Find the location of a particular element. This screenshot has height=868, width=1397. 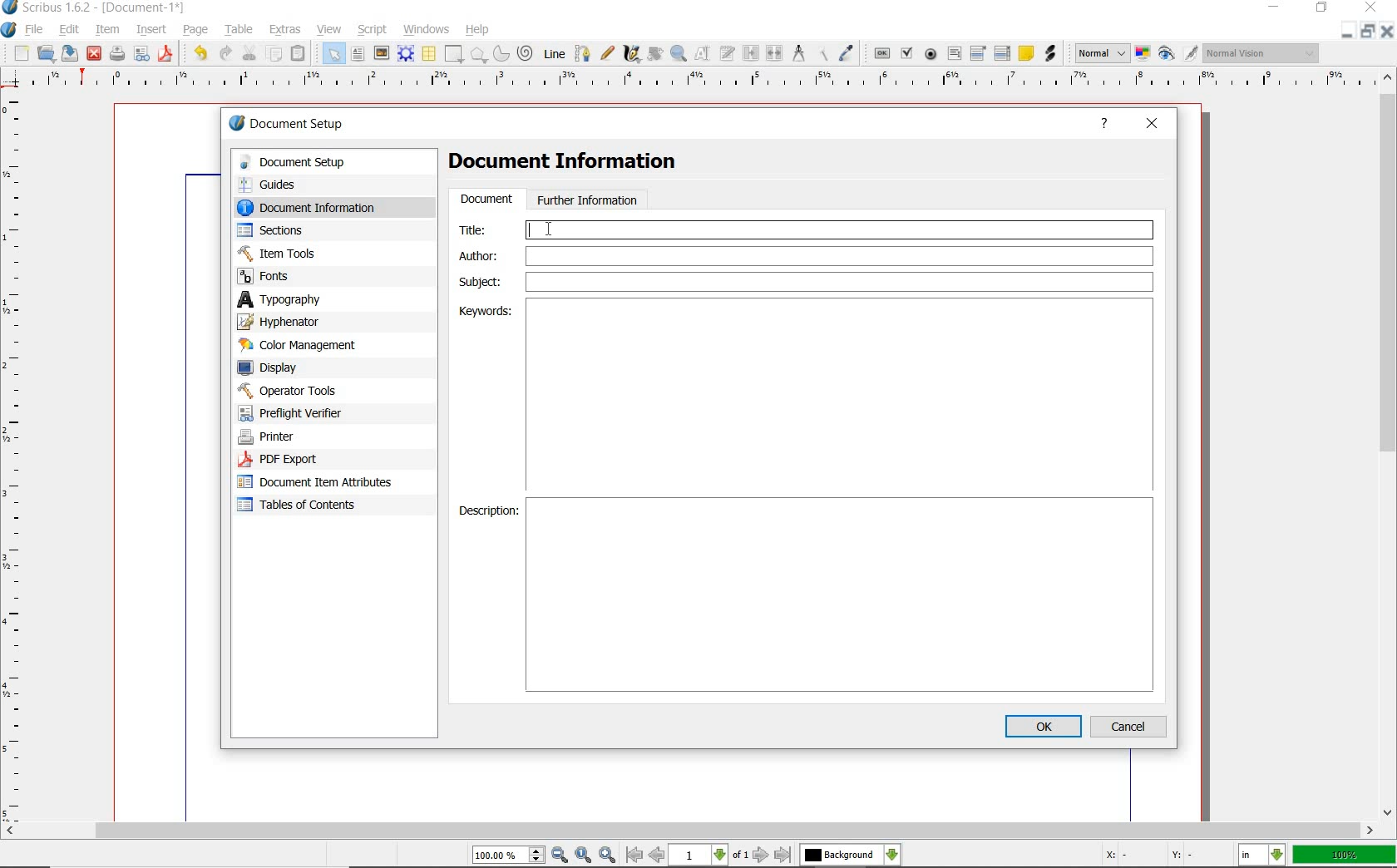

image frame is located at coordinates (382, 52).